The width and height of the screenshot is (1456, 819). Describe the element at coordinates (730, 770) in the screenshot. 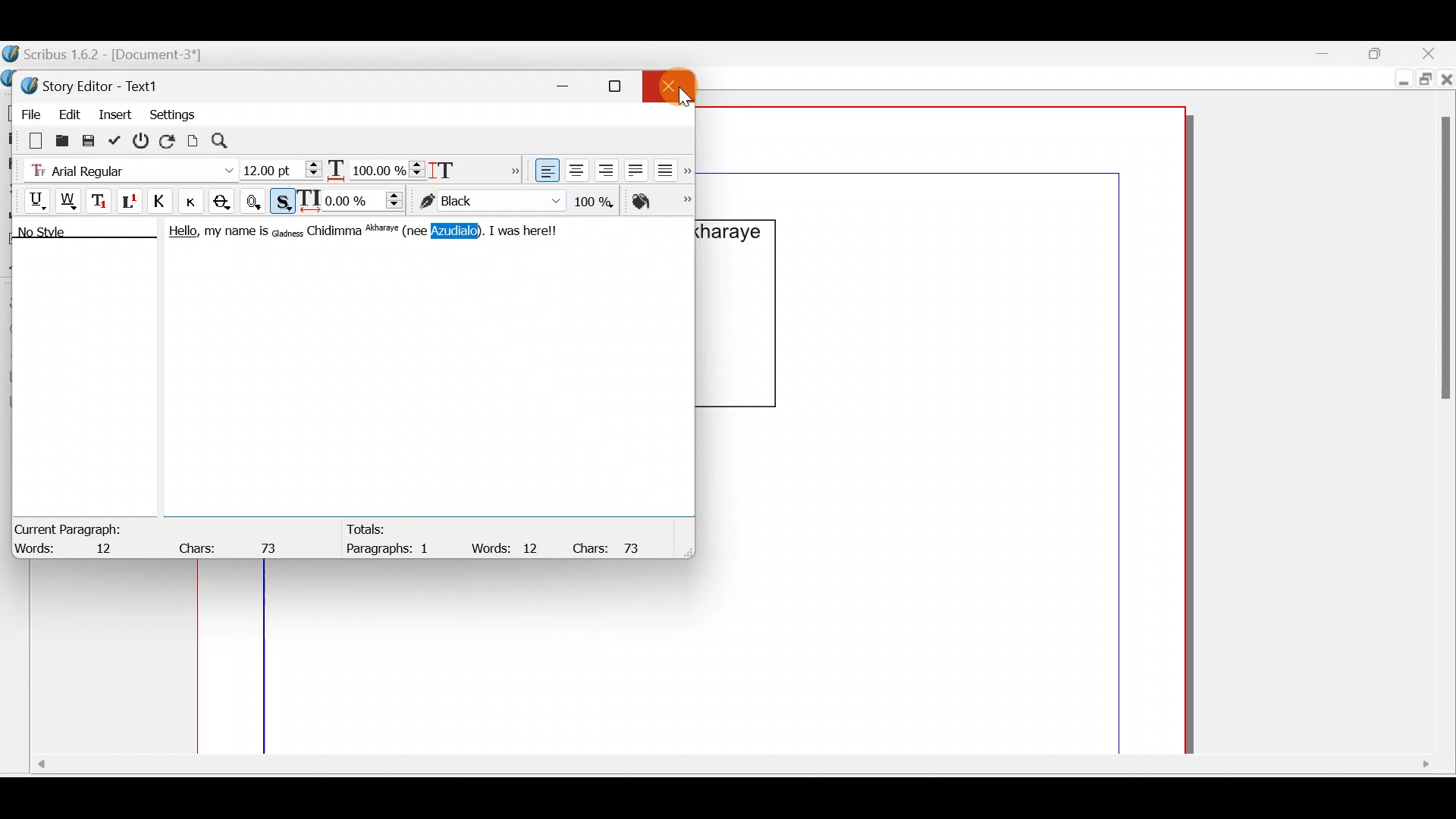

I see `Scroll bar` at that location.